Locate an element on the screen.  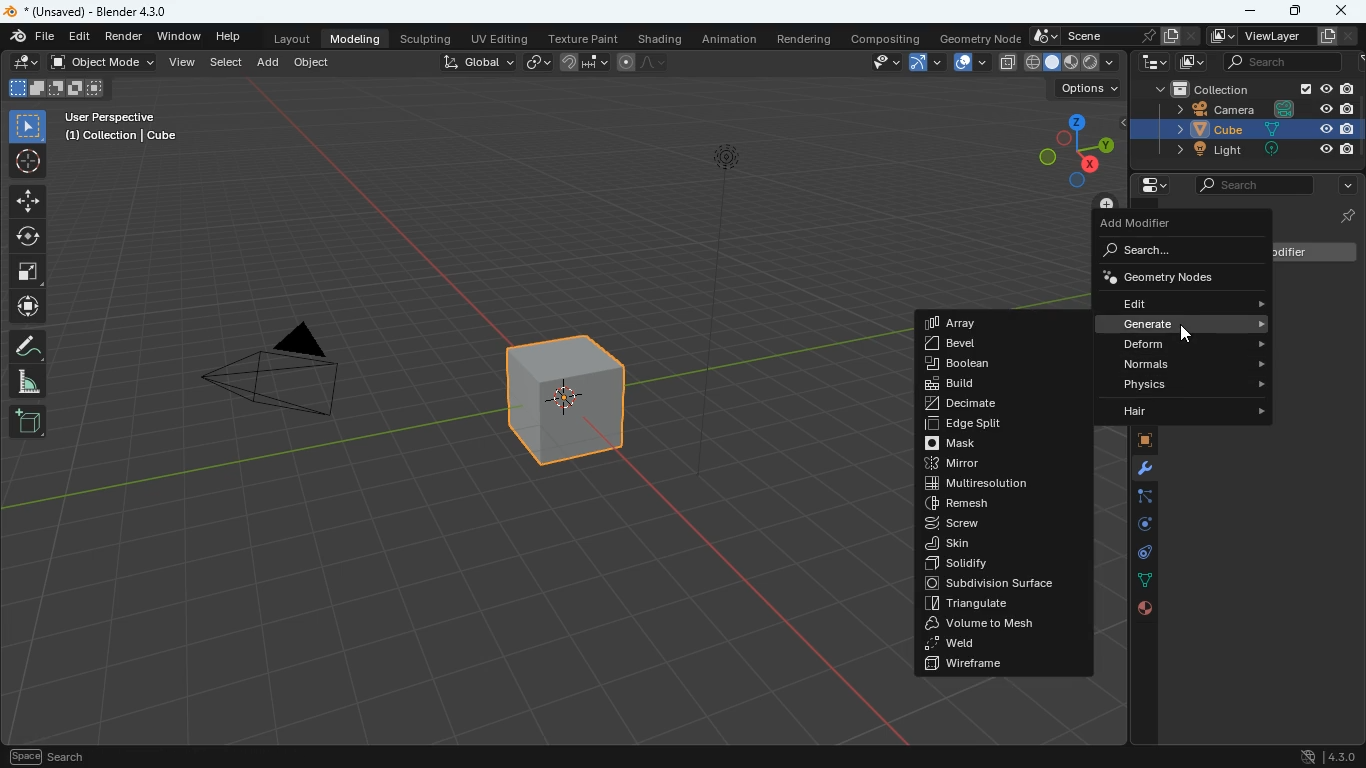
texture paint is located at coordinates (581, 37).